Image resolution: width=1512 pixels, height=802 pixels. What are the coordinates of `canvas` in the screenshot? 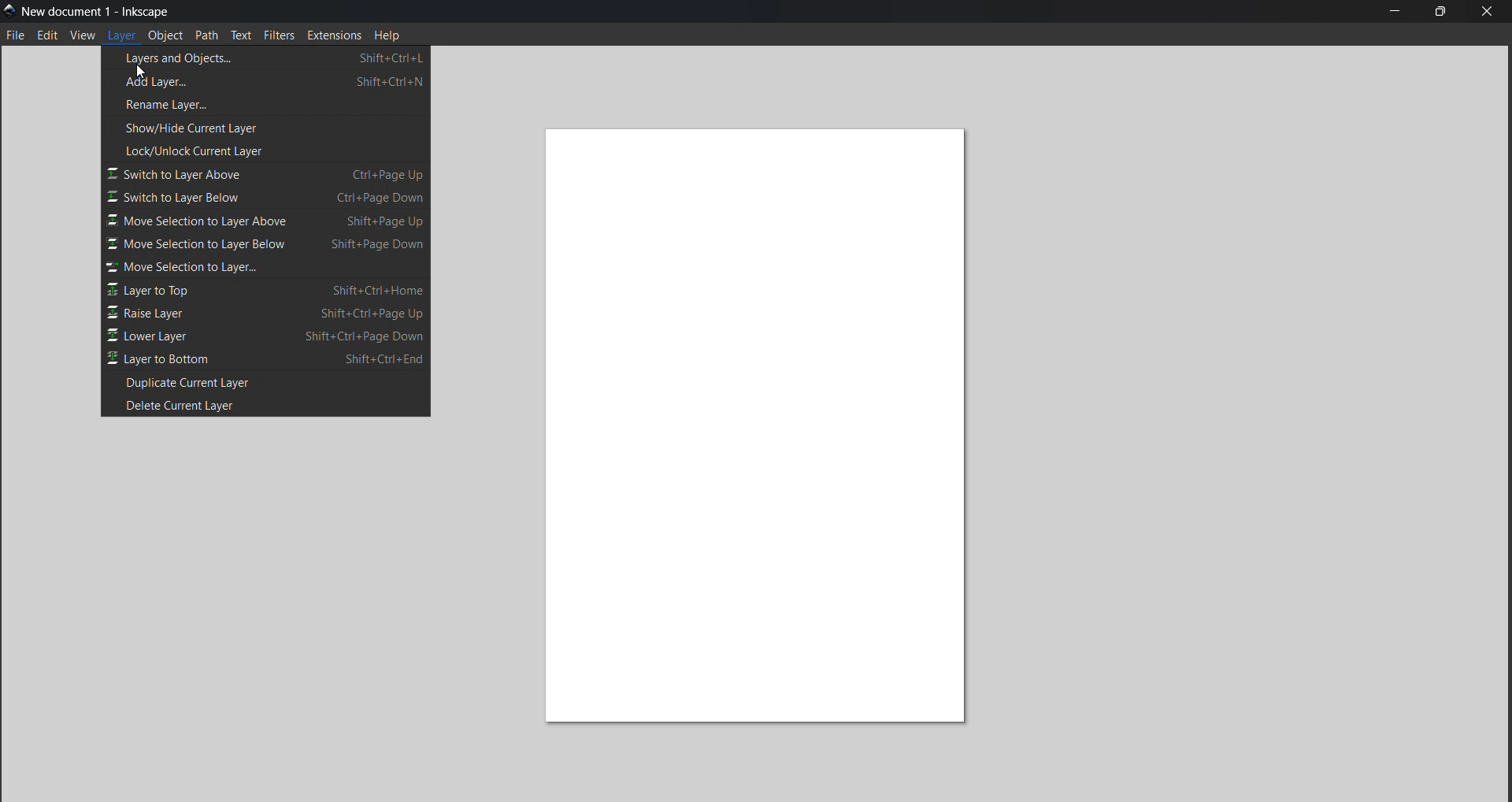 It's located at (759, 419).